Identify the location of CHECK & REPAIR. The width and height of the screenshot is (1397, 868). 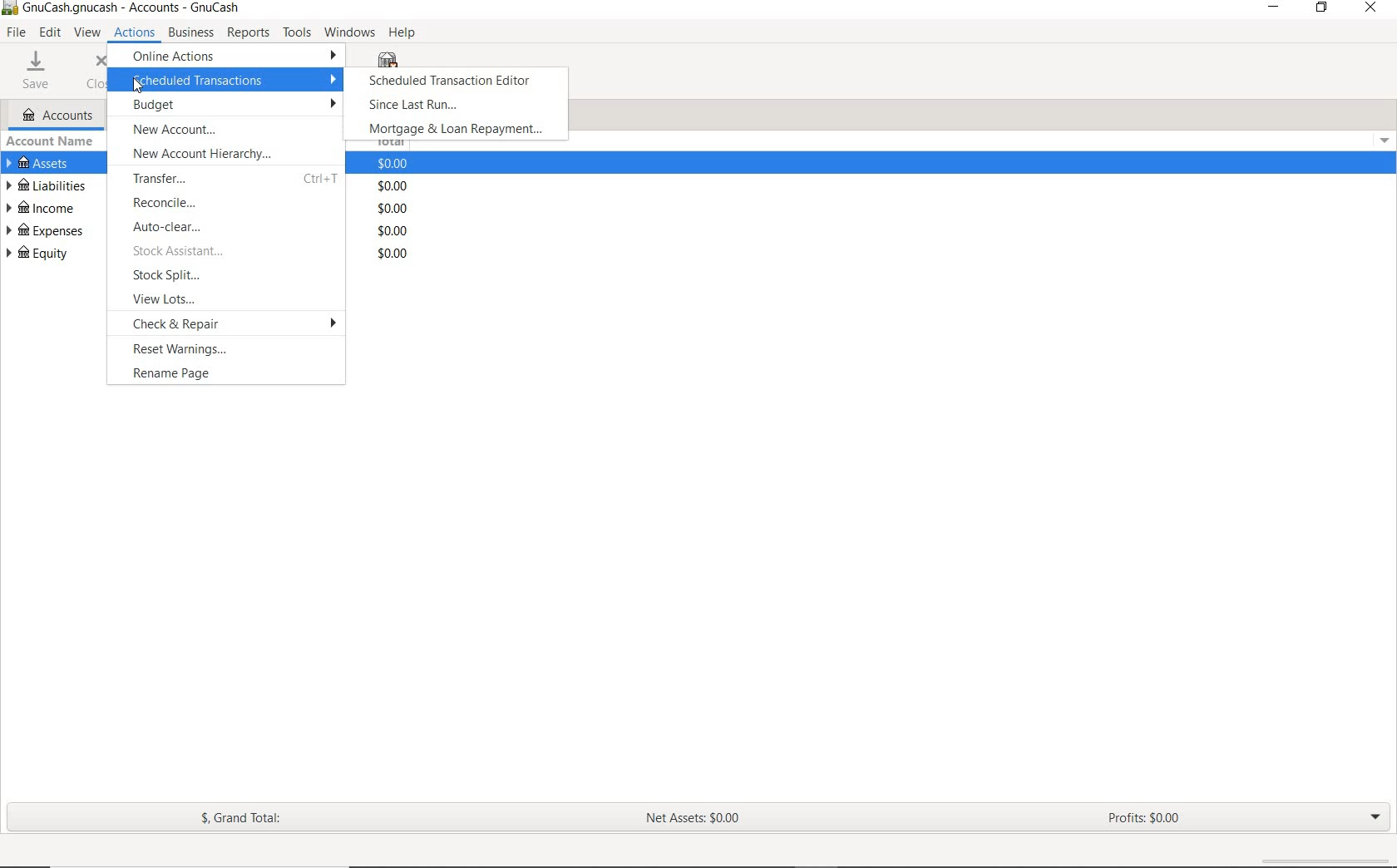
(234, 323).